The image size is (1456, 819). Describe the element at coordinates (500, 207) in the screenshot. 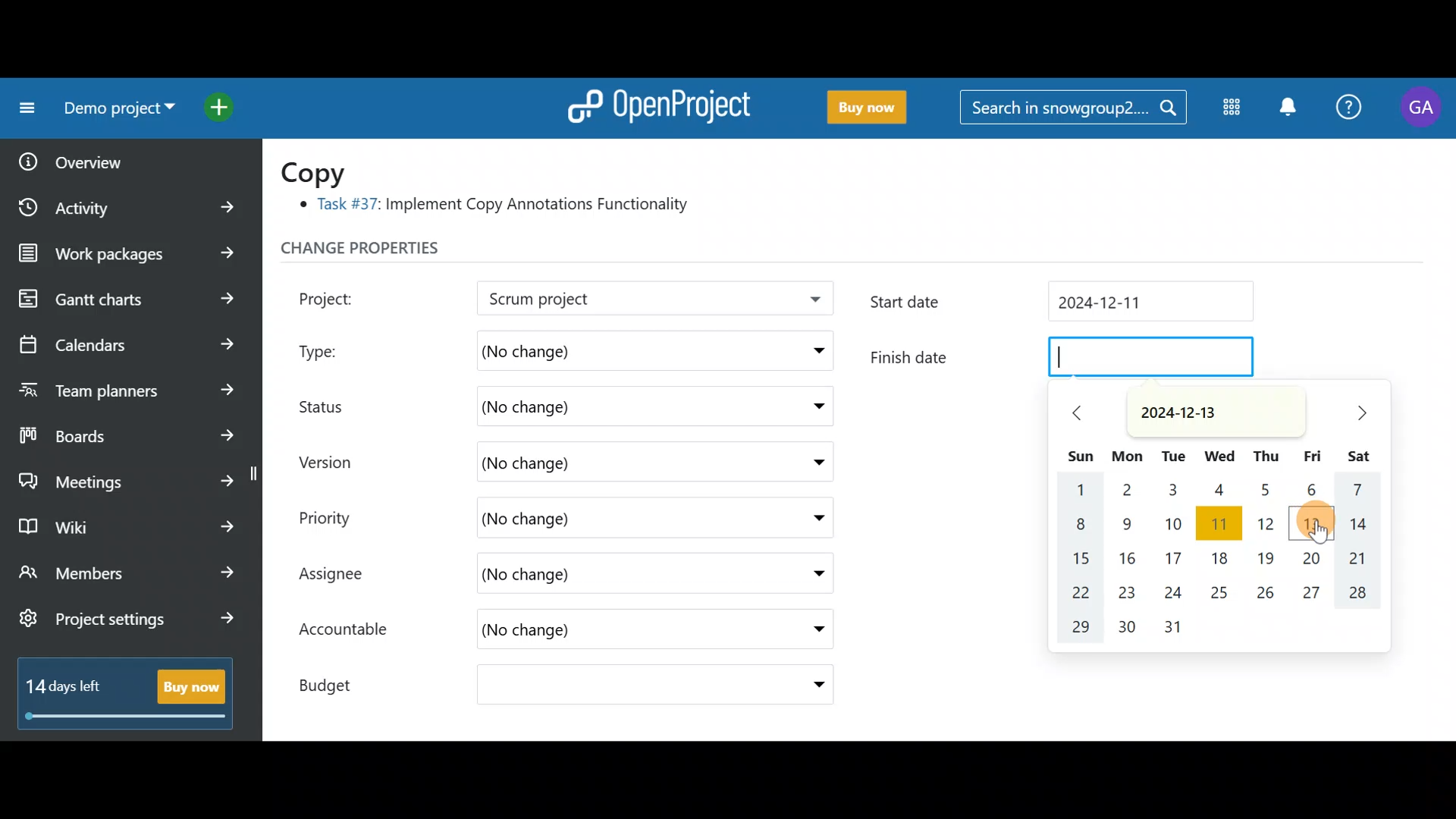

I see `® Task #37: Implement Copy Annotations Functionality` at that location.